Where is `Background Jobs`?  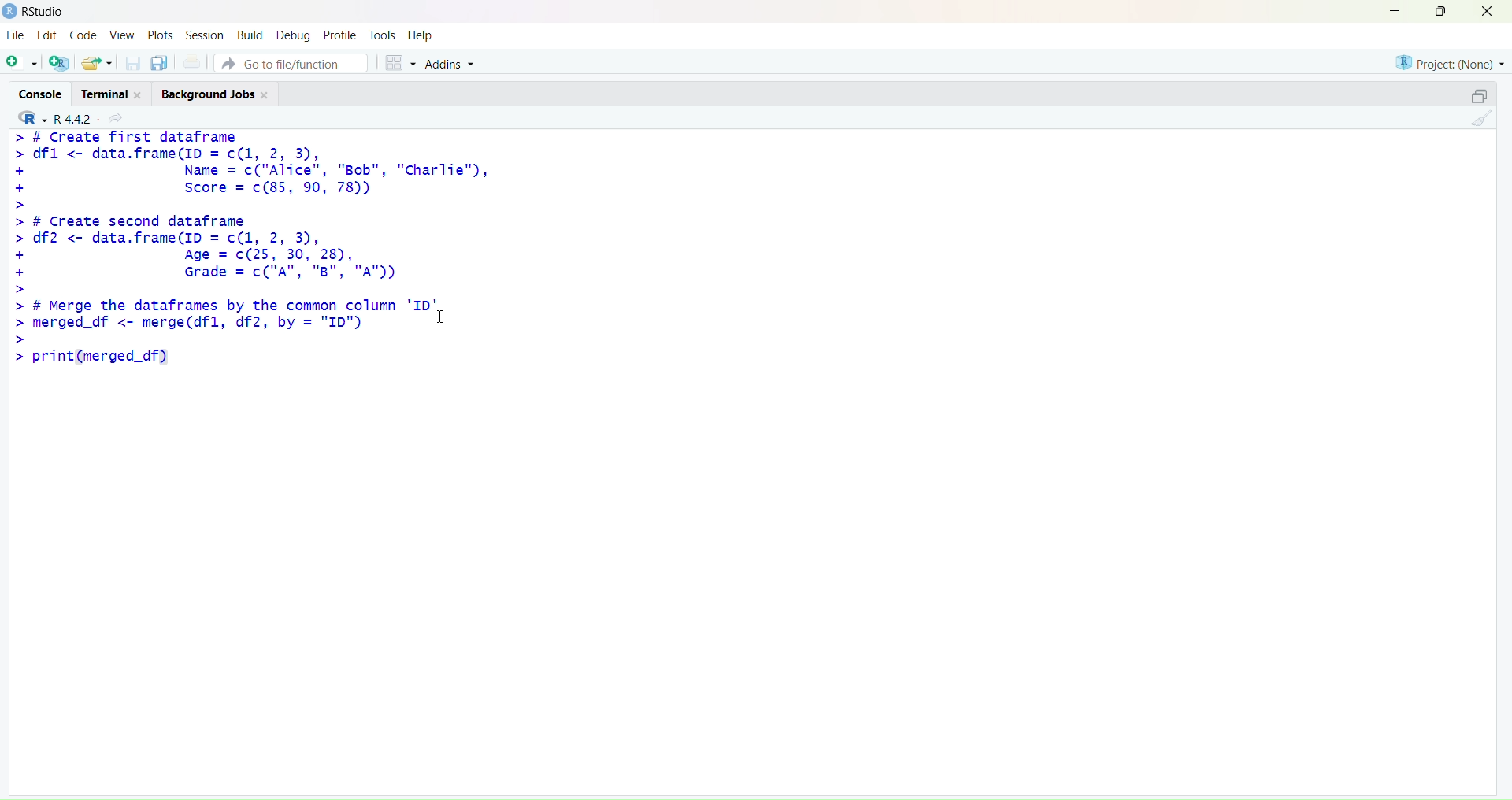 Background Jobs is located at coordinates (217, 93).